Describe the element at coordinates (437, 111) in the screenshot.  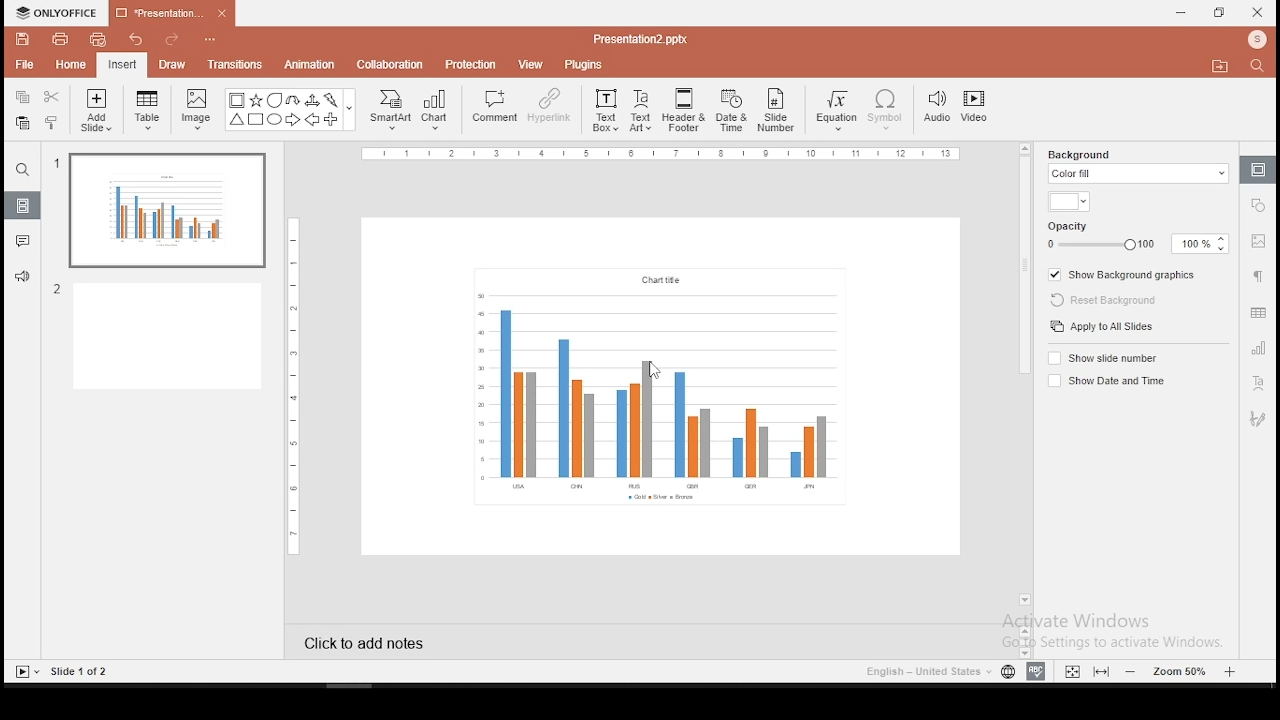
I see `chart` at that location.